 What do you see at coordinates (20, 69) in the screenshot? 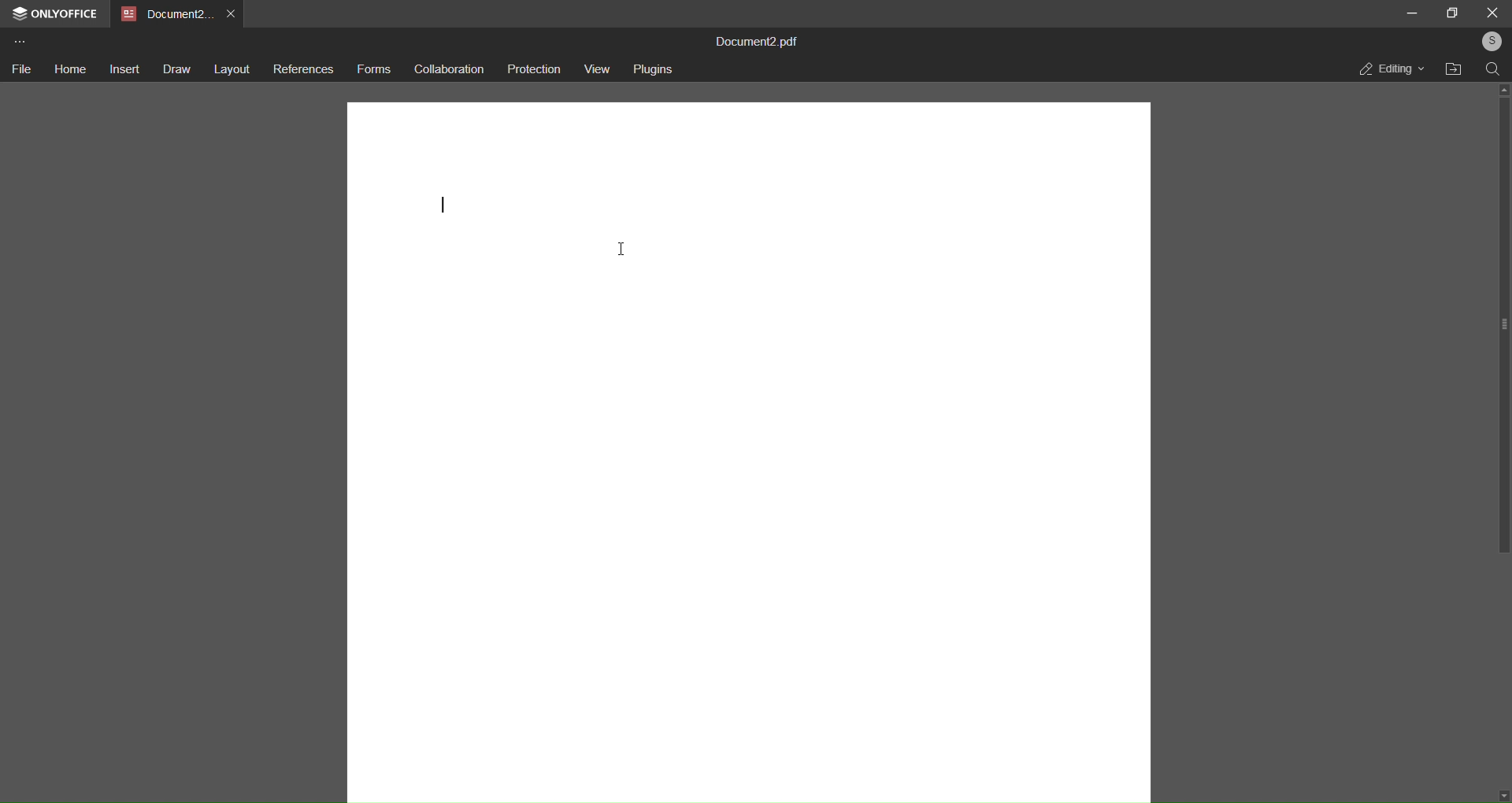
I see `file` at bounding box center [20, 69].